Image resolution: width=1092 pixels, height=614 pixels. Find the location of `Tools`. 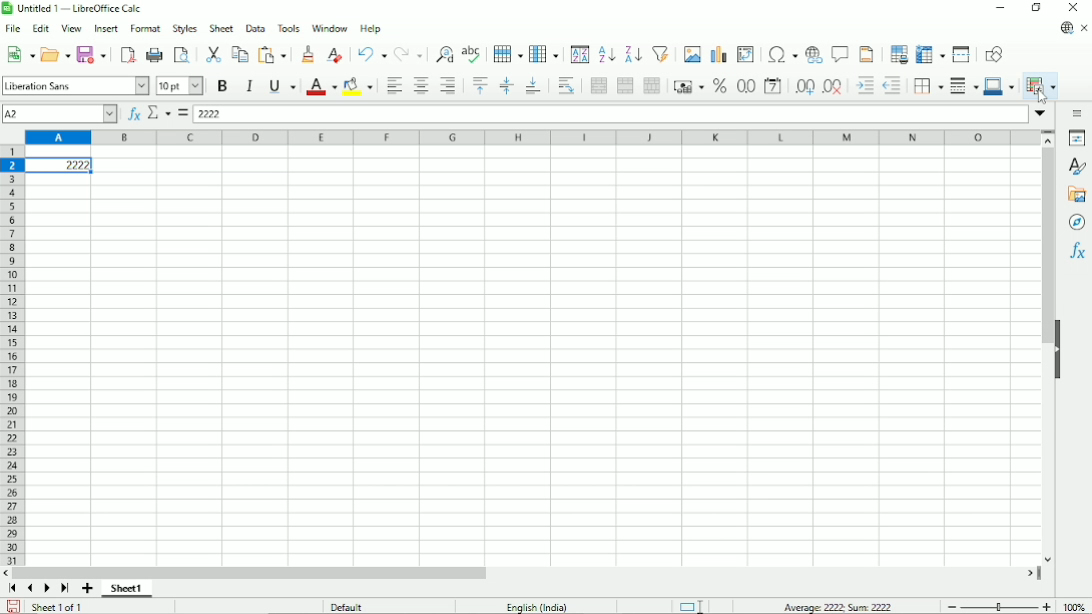

Tools is located at coordinates (287, 28).